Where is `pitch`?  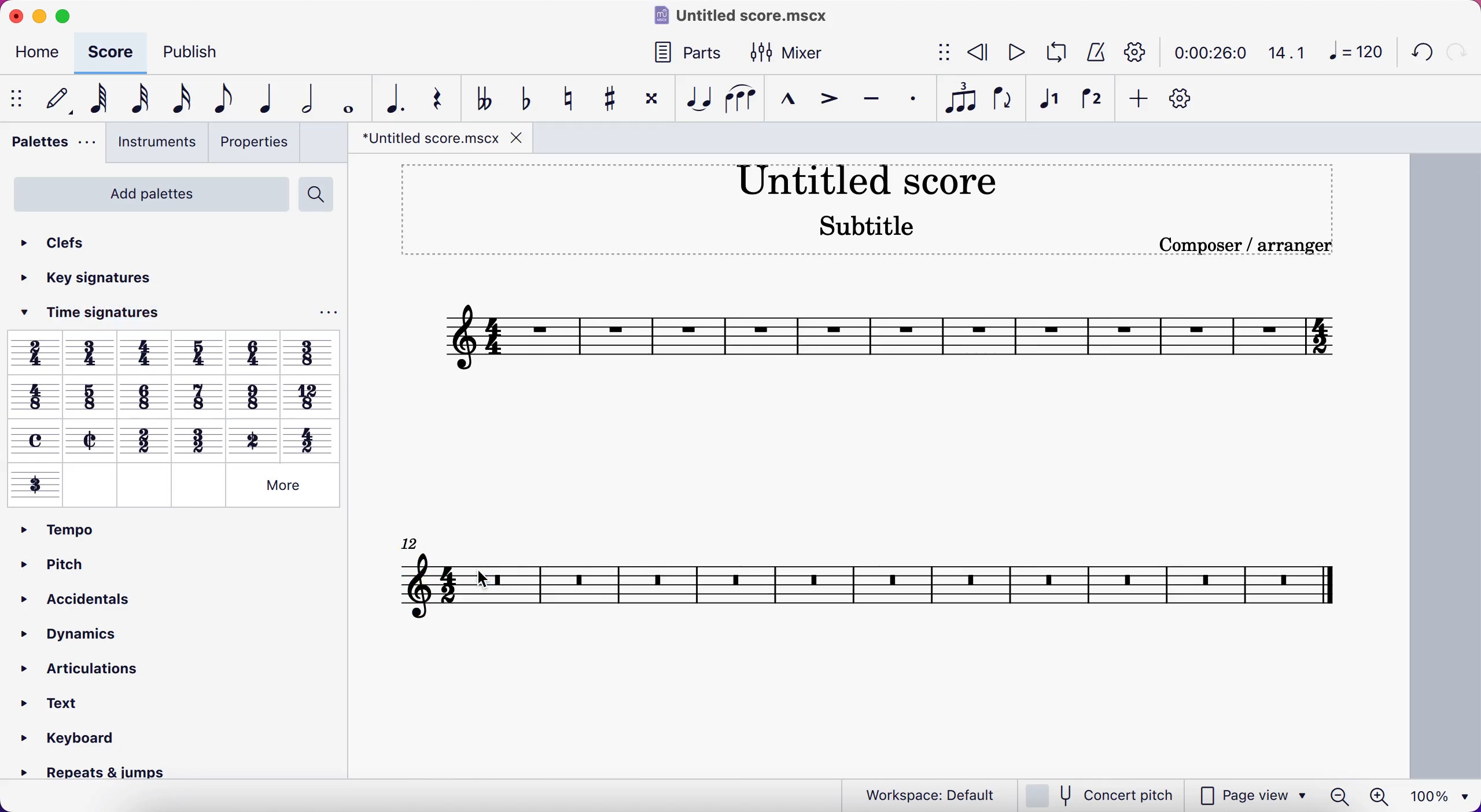
pitch is located at coordinates (71, 560).